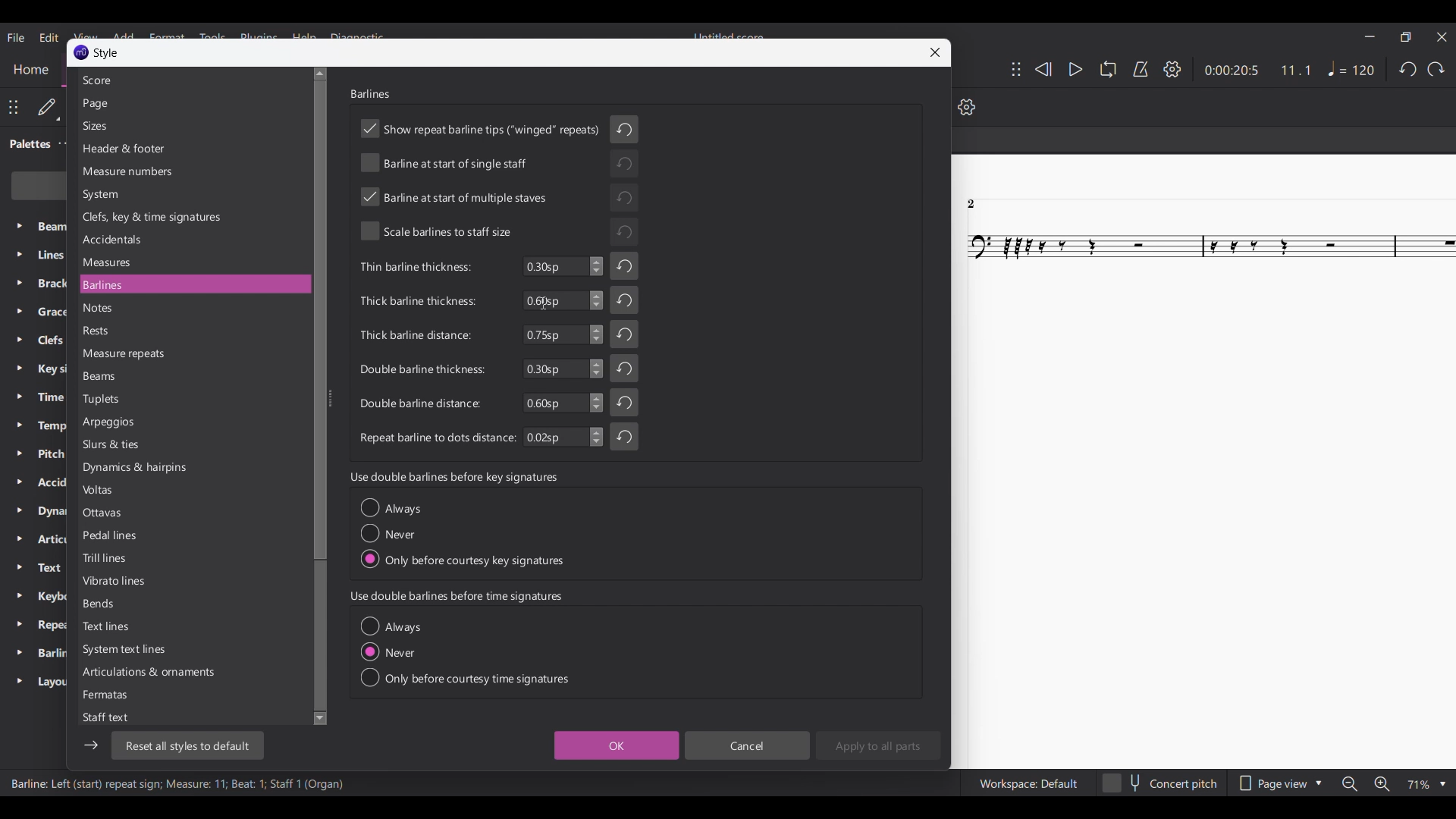 This screenshot has height=819, width=1456. What do you see at coordinates (1280, 784) in the screenshot?
I see `Page view options` at bounding box center [1280, 784].